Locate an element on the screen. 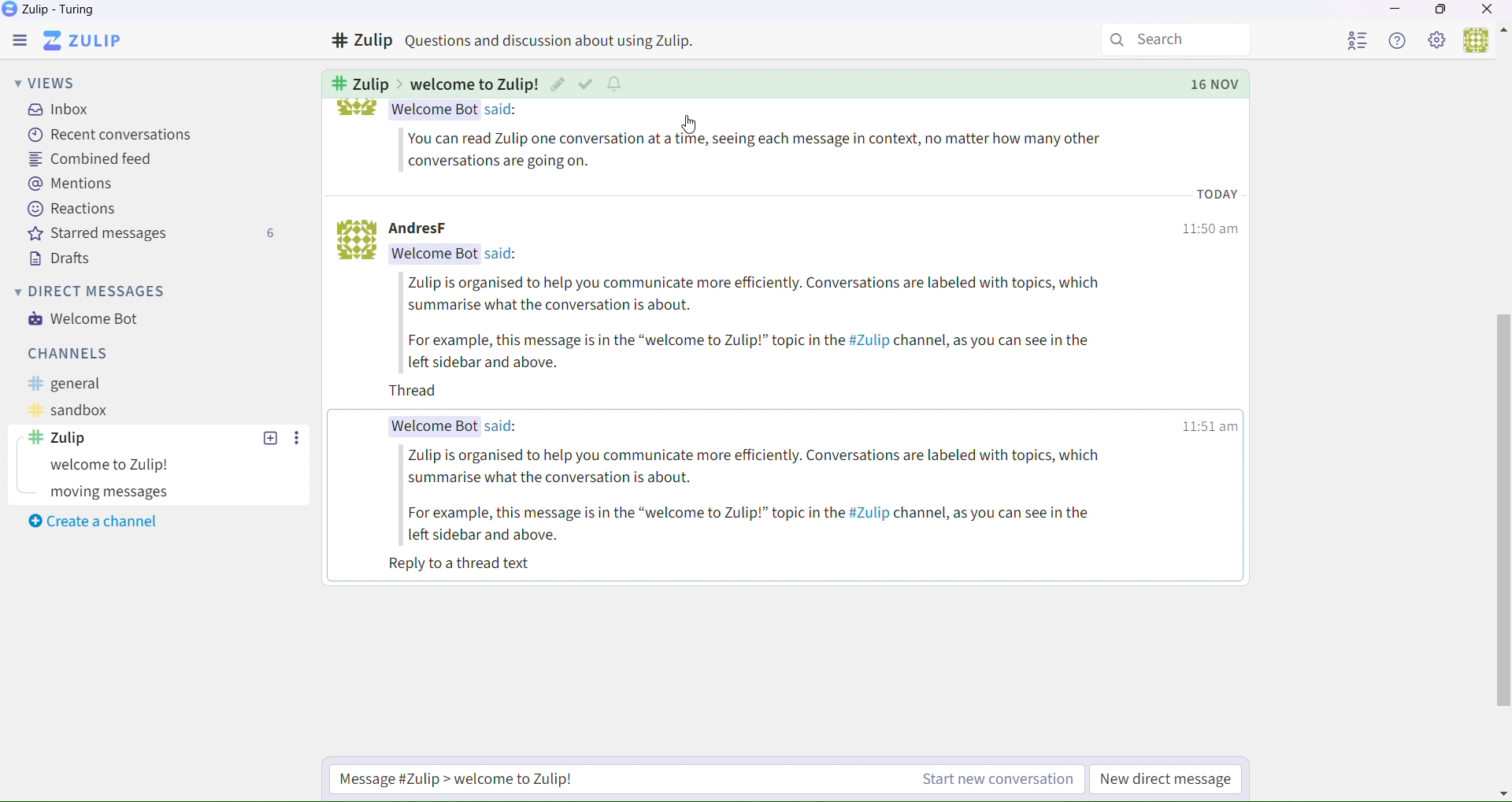 The image size is (1512, 802). Sanbox is located at coordinates (87, 410).